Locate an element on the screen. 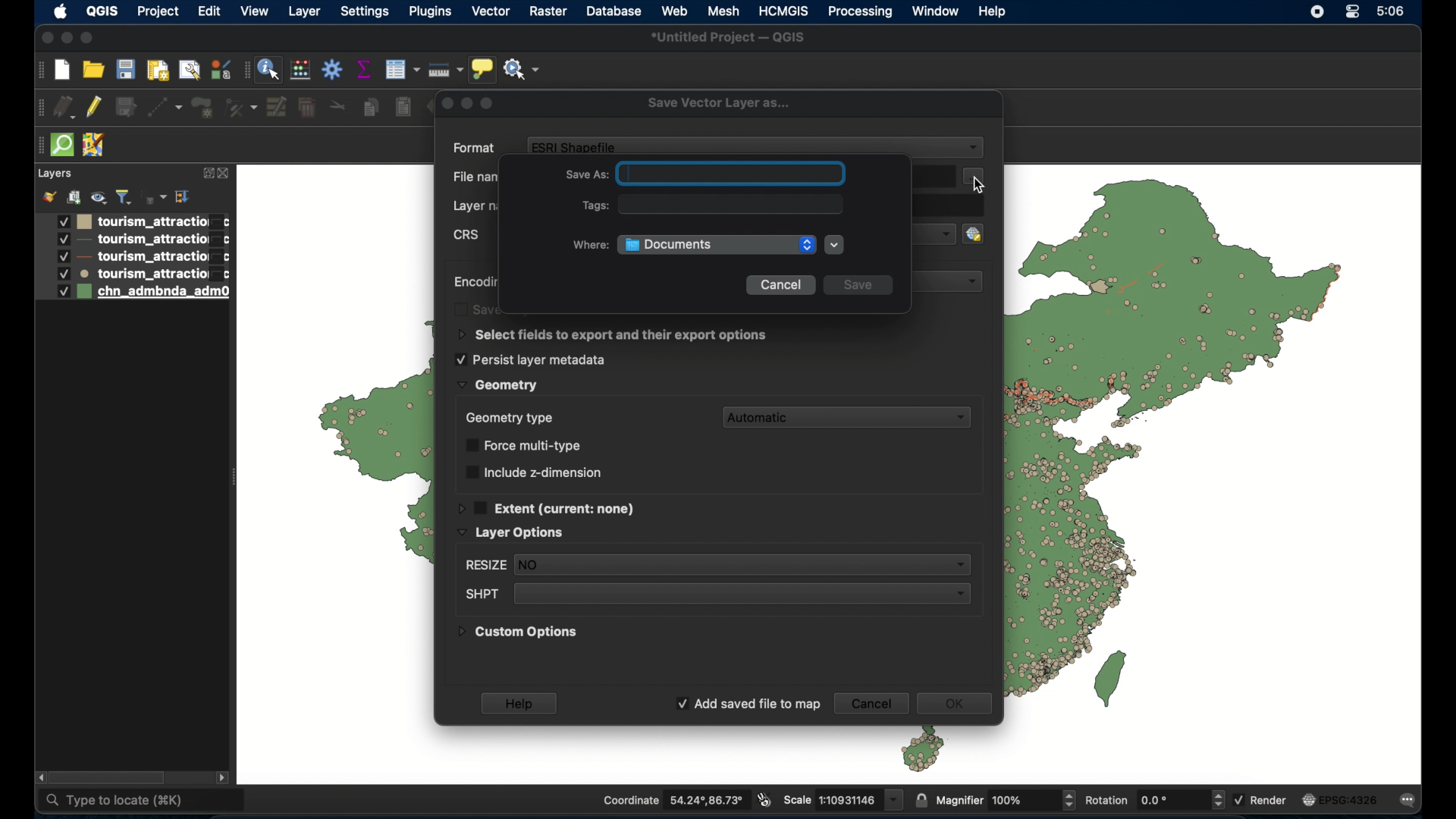 The height and width of the screenshot is (819, 1456). scroll right arrow is located at coordinates (222, 777).